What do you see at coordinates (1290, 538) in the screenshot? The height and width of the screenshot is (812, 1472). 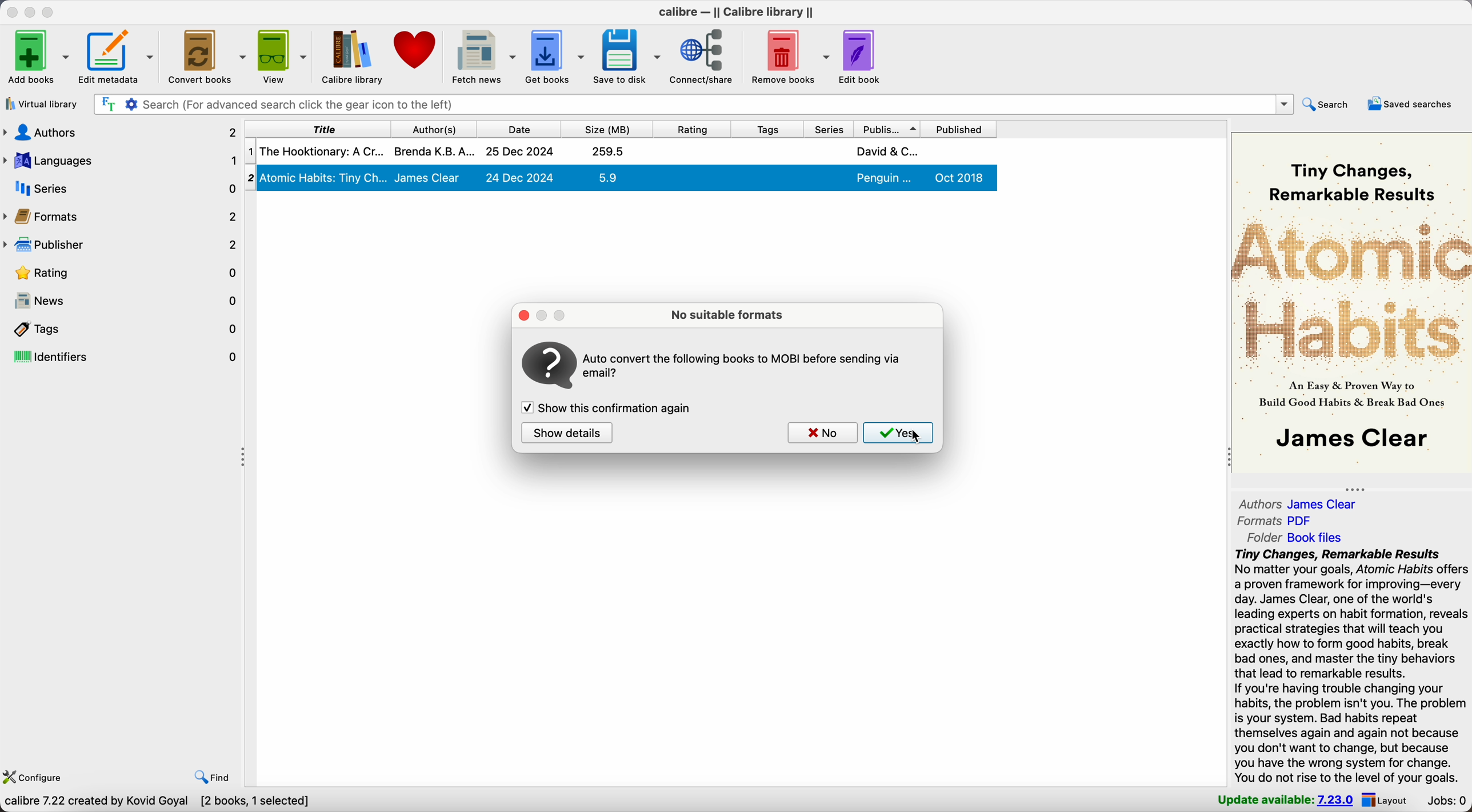 I see `folder Book Files` at bounding box center [1290, 538].